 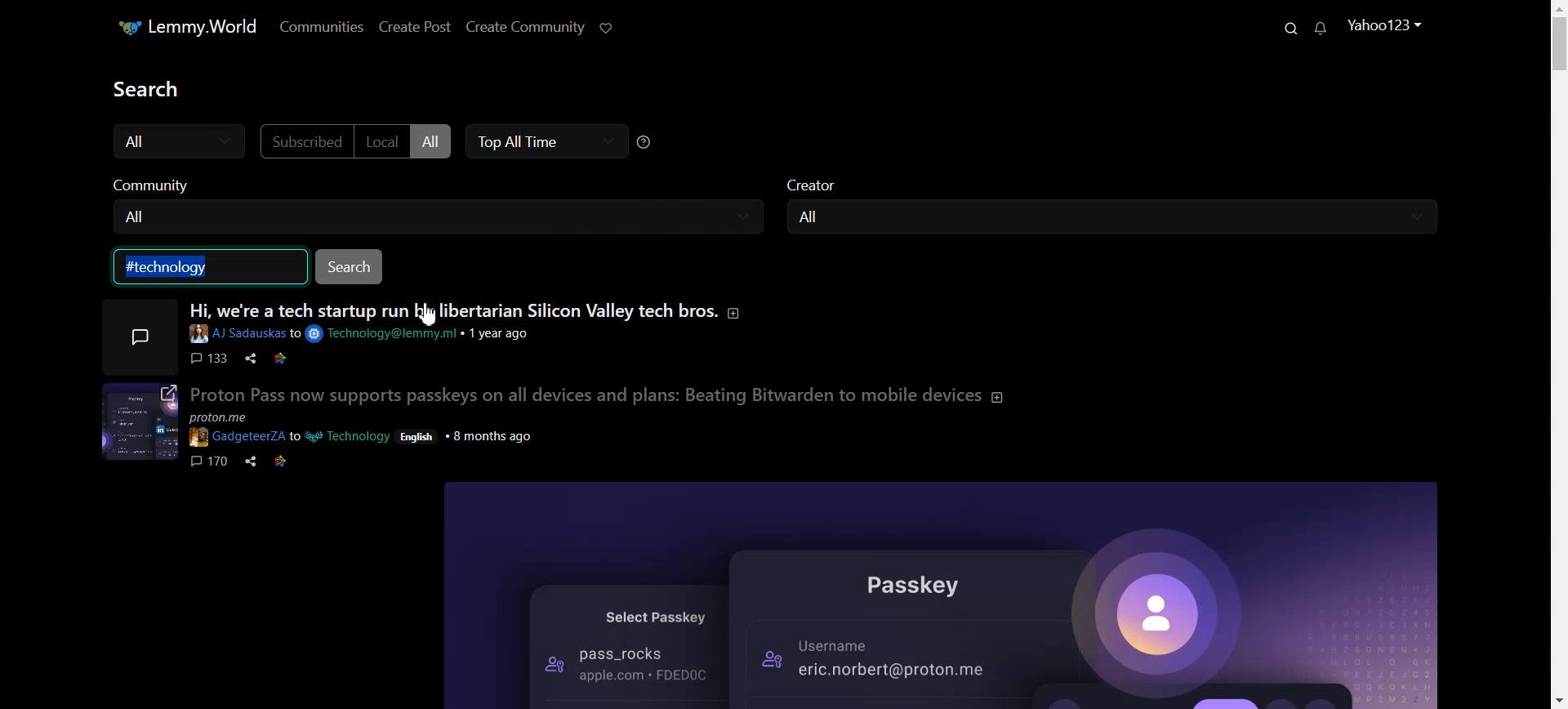 I want to click on All, so click(x=435, y=141).